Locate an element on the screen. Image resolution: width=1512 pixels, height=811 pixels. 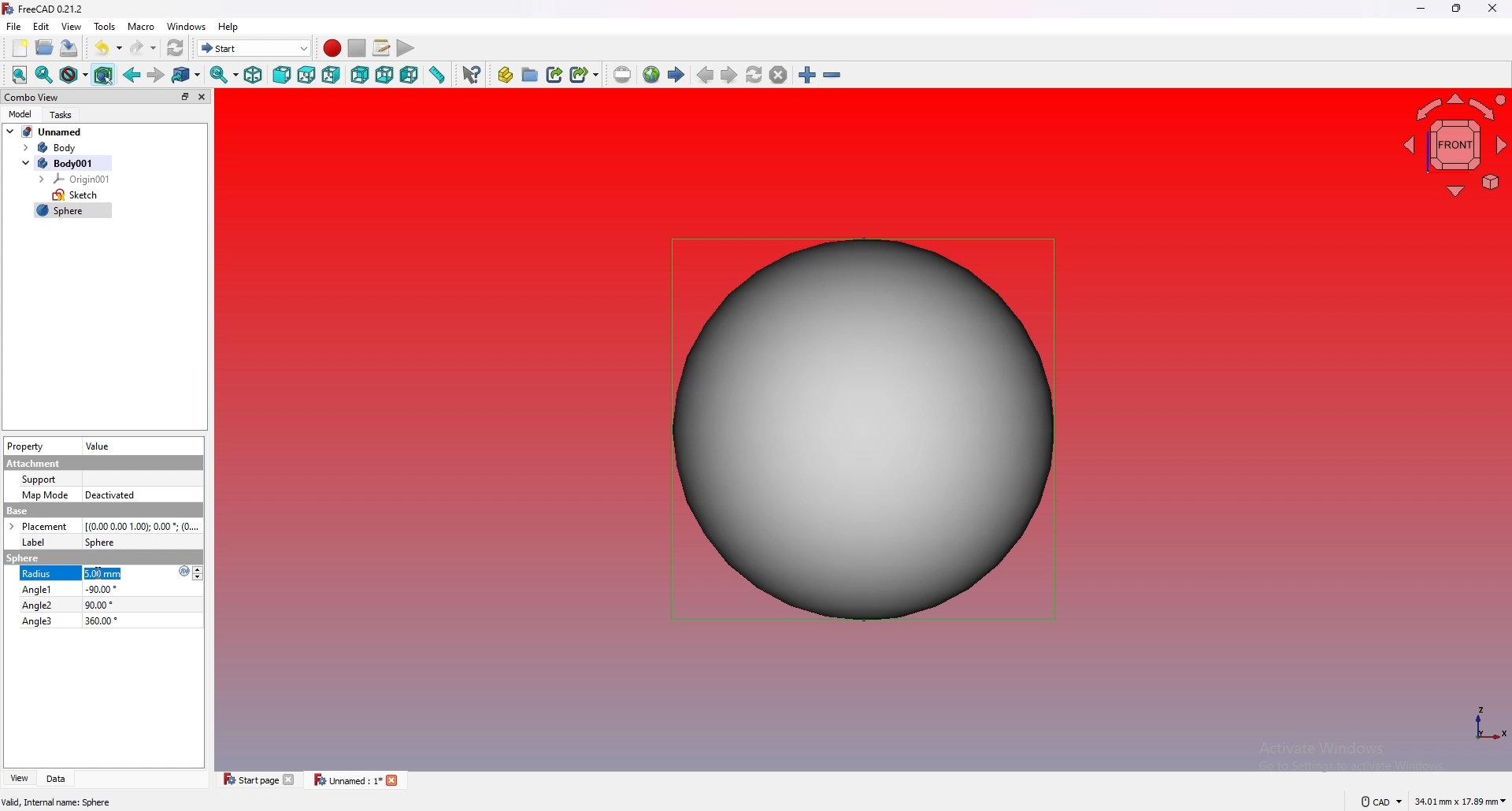
map mode is located at coordinates (45, 494).